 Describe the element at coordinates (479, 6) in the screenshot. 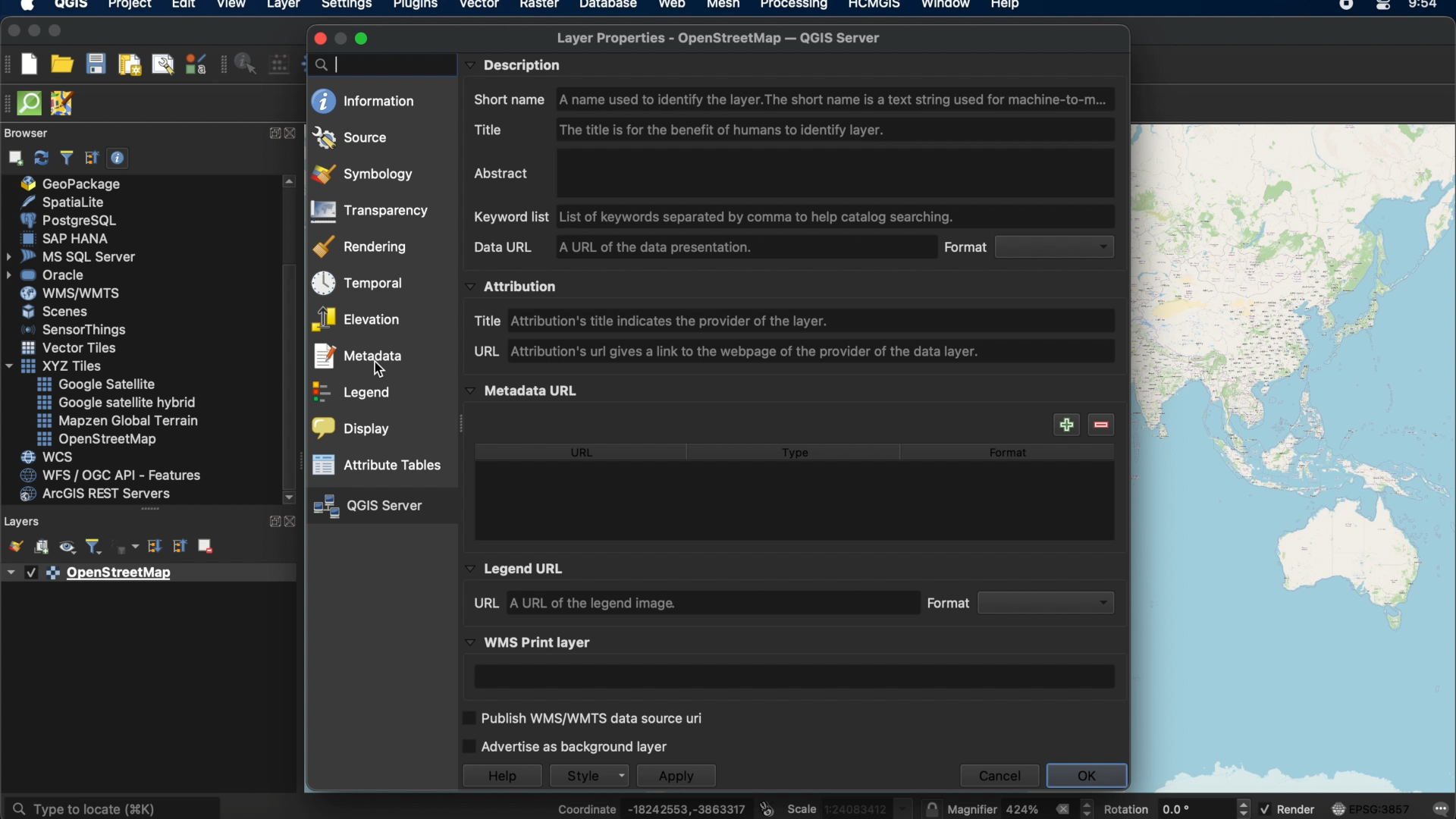

I see `vector` at that location.